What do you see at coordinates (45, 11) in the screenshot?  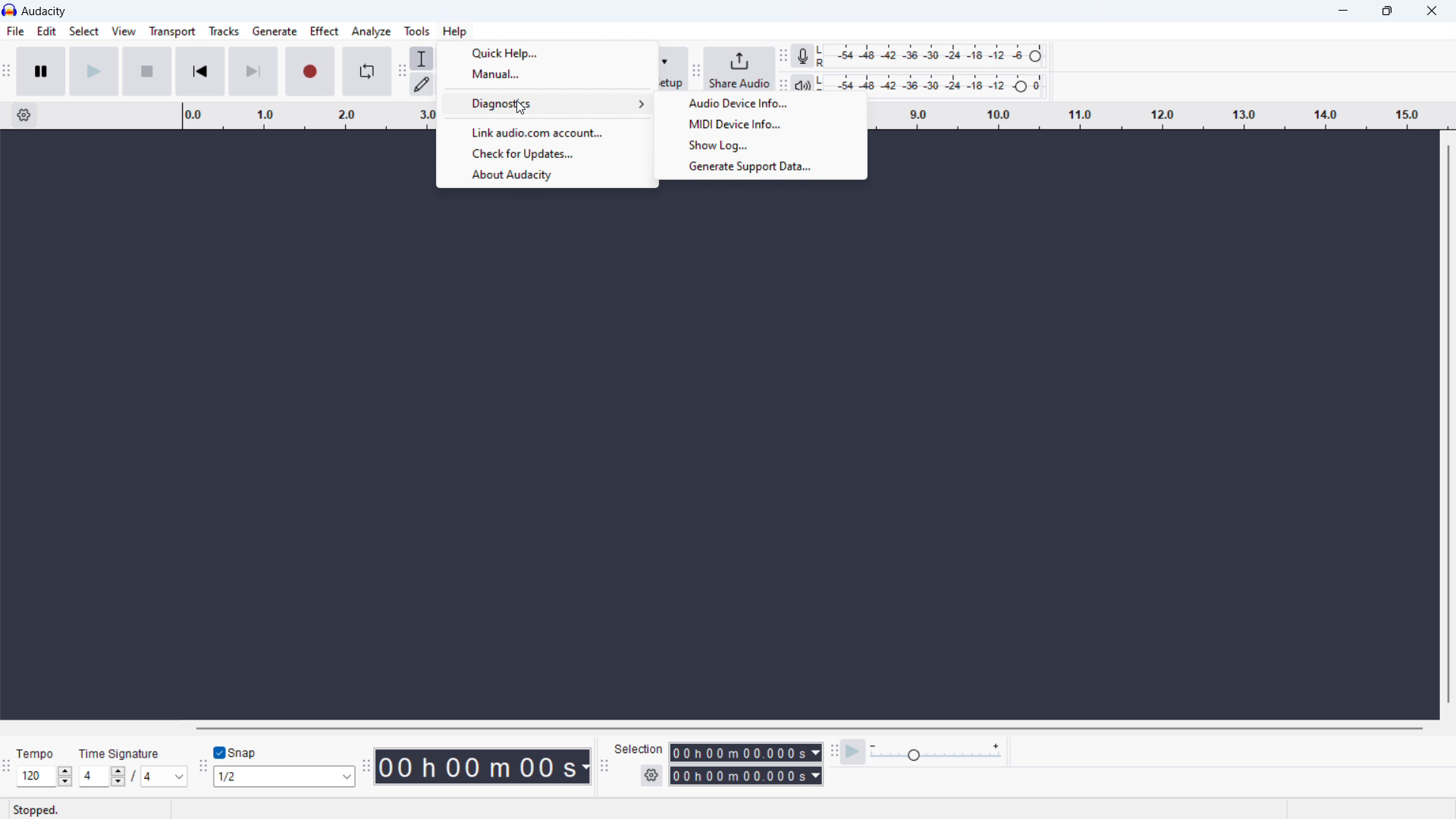 I see `title` at bounding box center [45, 11].